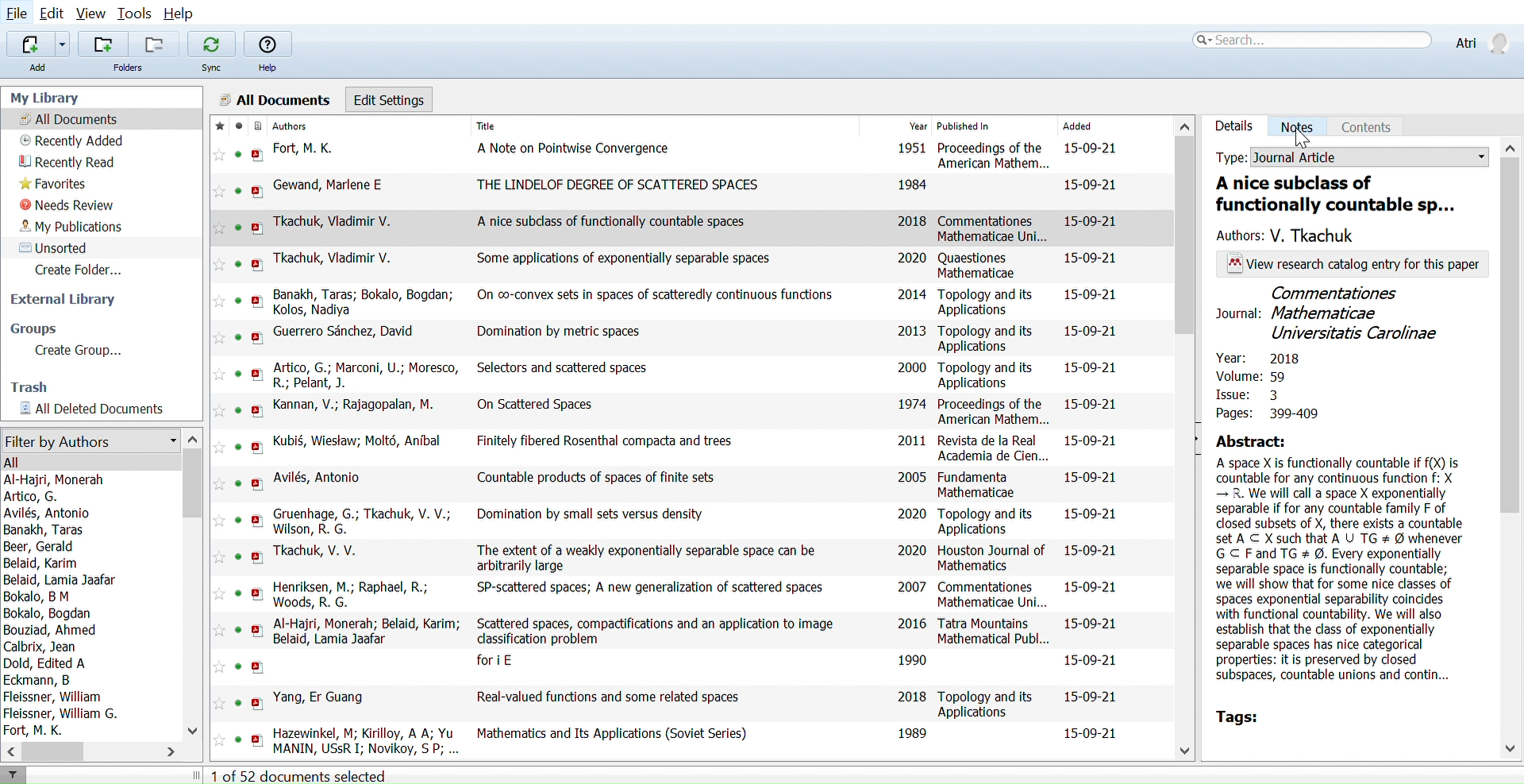 This screenshot has width=1524, height=784. I want to click on Move right in filter by authors, so click(175, 751).